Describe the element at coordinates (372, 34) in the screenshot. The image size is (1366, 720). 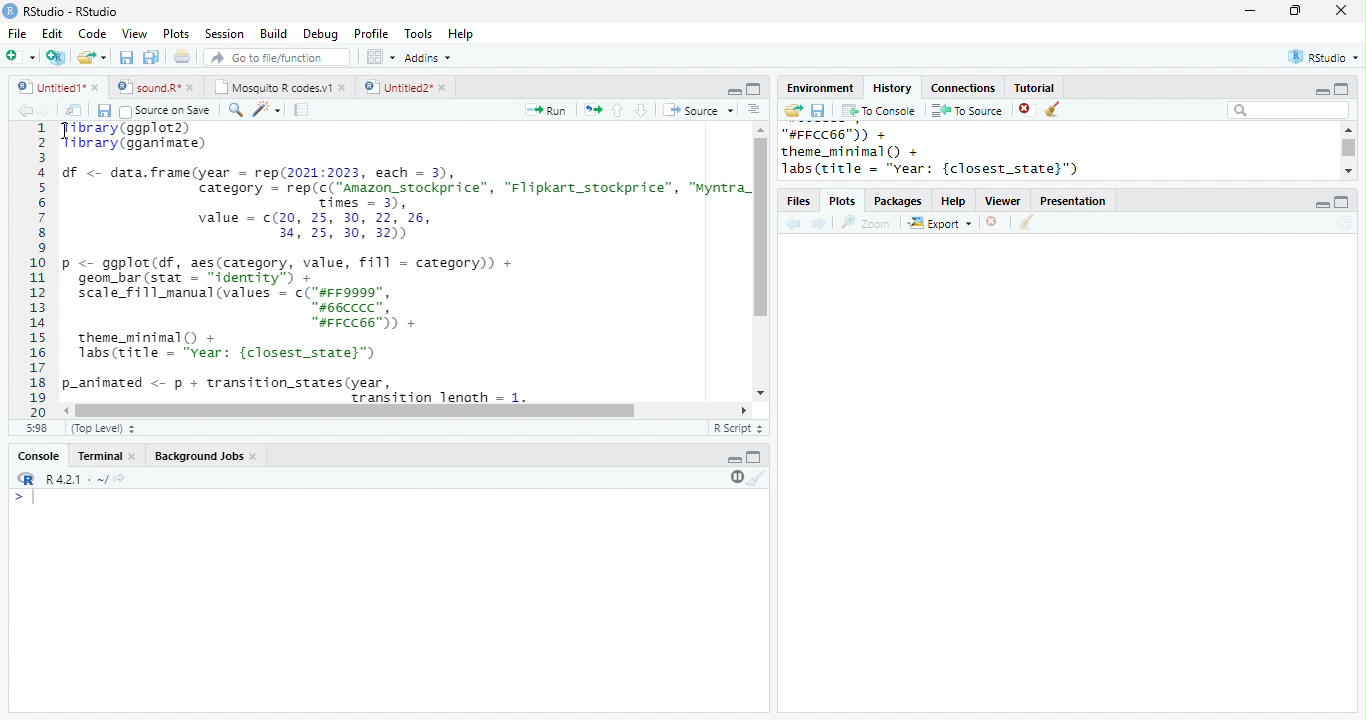
I see `Profile` at that location.